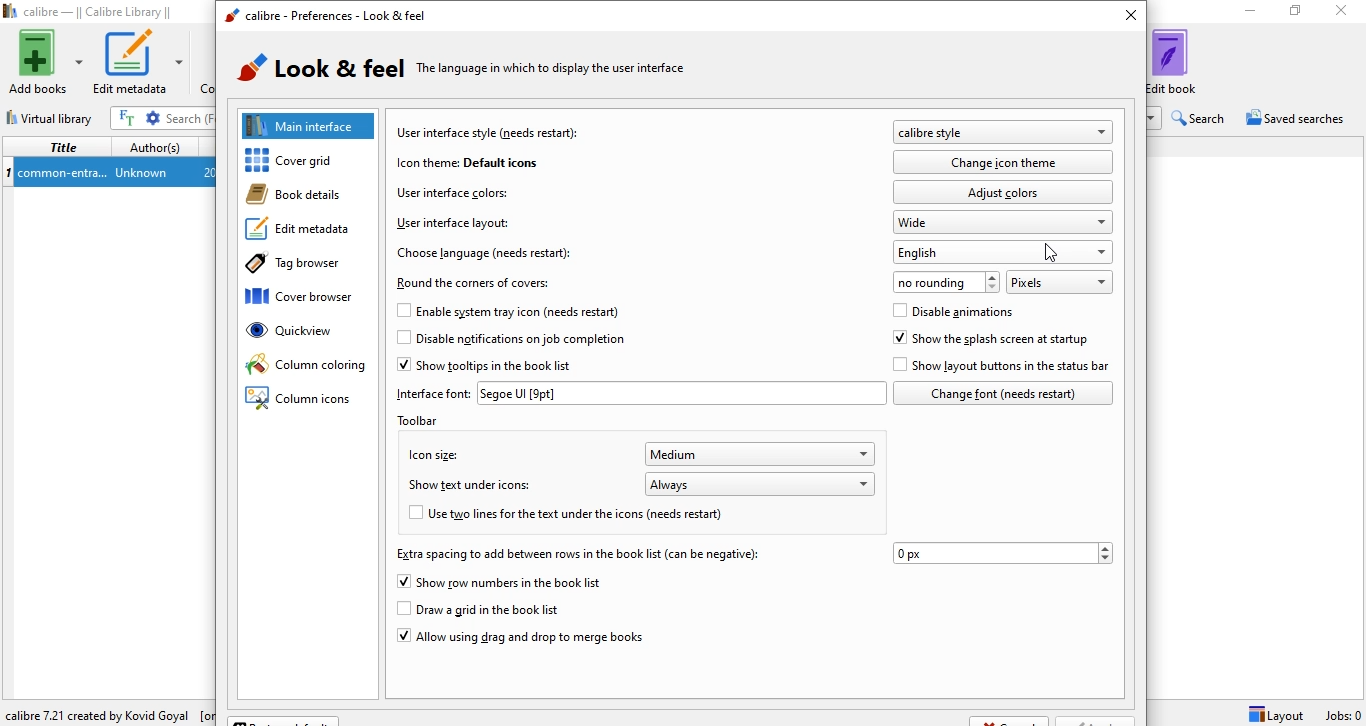 Image resolution: width=1366 pixels, height=726 pixels. Describe the element at coordinates (108, 173) in the screenshot. I see `one book entry` at that location.